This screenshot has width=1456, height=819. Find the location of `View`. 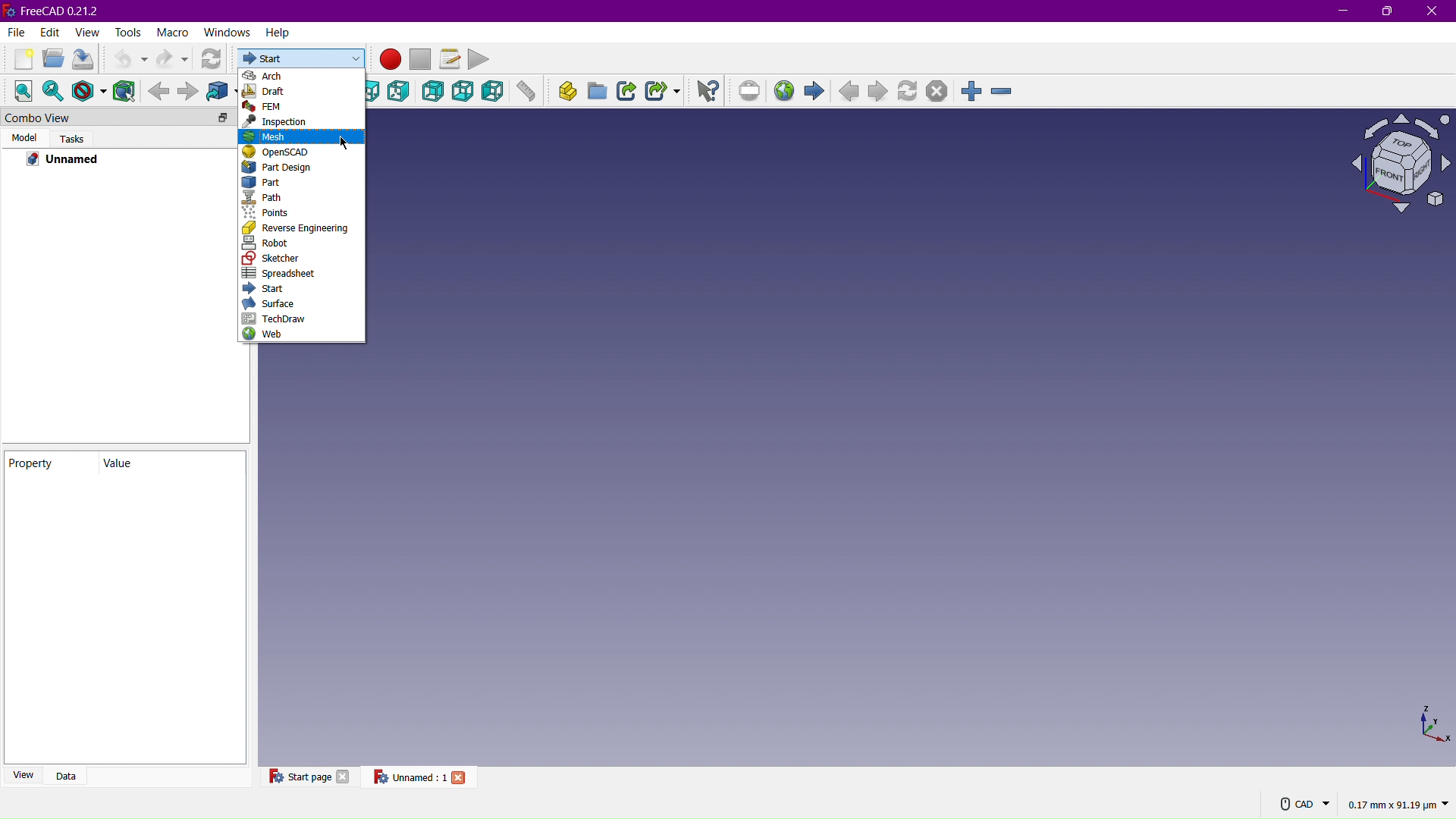

View is located at coordinates (24, 774).